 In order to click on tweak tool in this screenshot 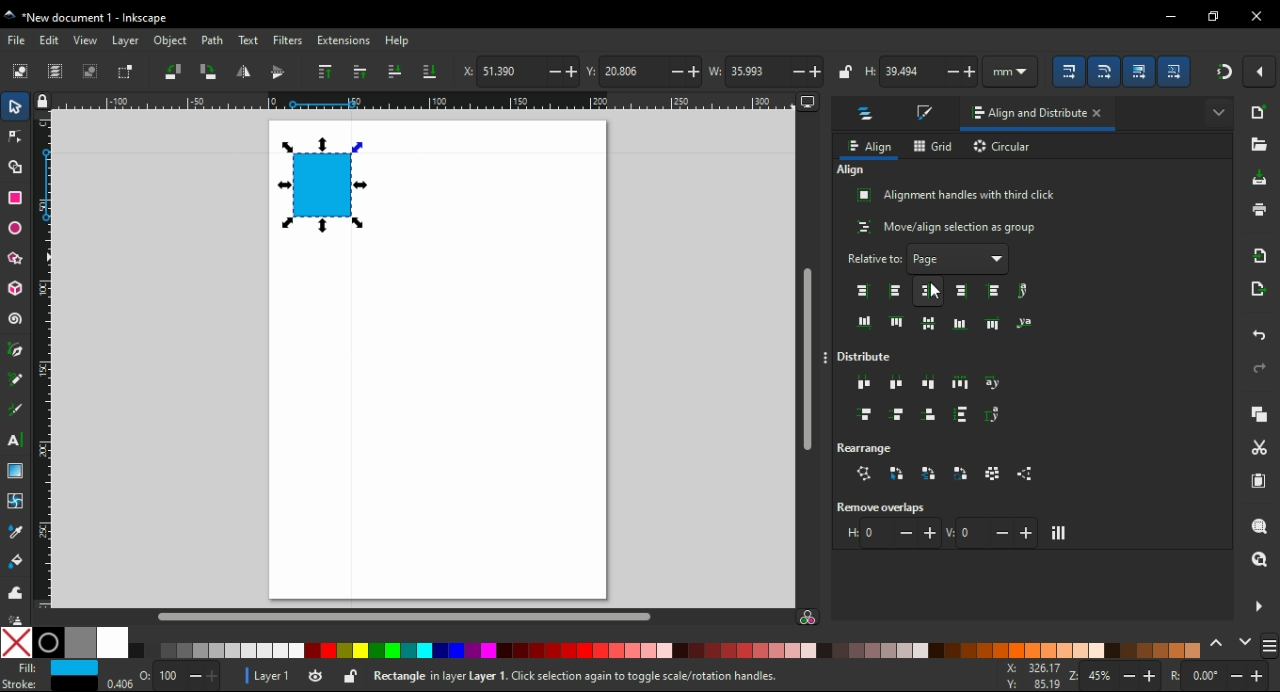, I will do `click(15, 591)`.